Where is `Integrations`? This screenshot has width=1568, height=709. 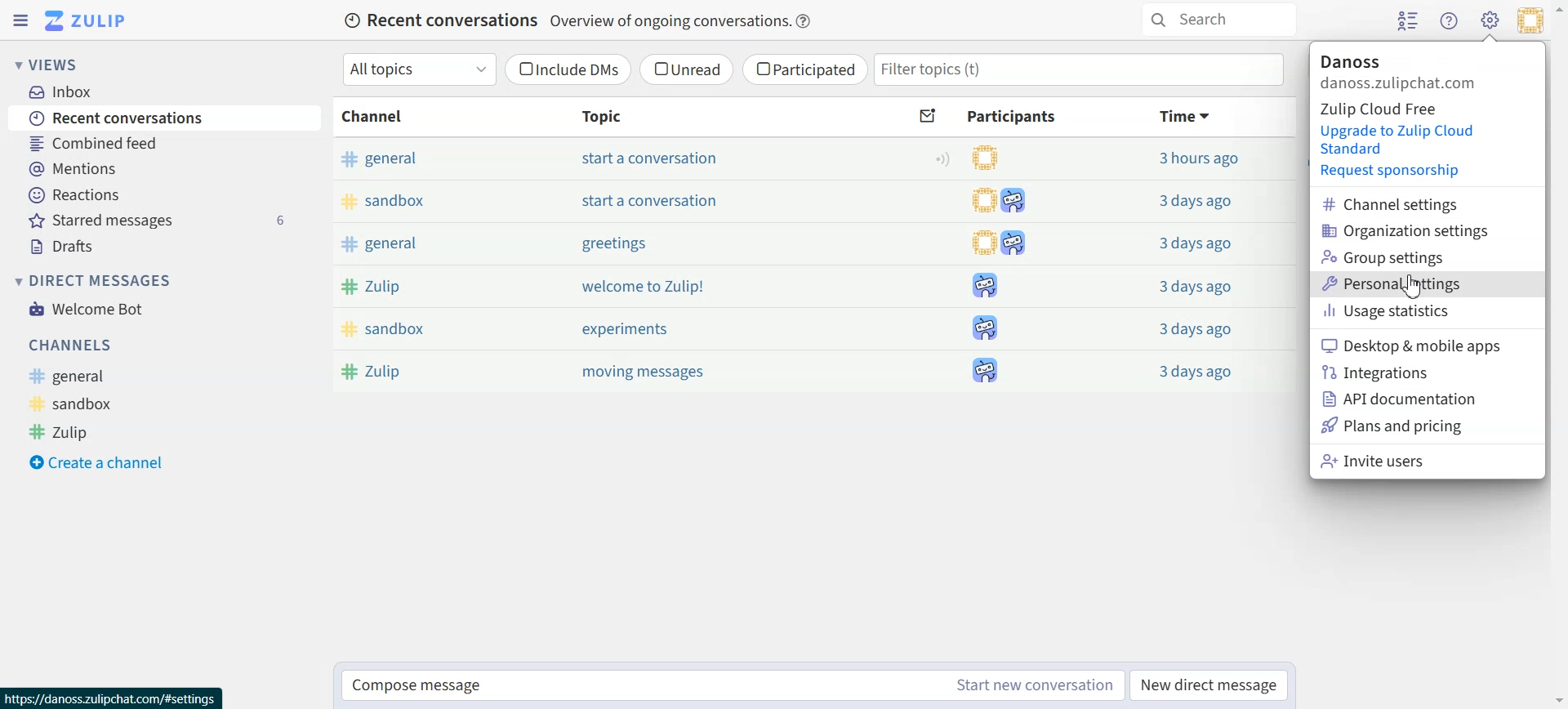
Integrations is located at coordinates (1428, 372).